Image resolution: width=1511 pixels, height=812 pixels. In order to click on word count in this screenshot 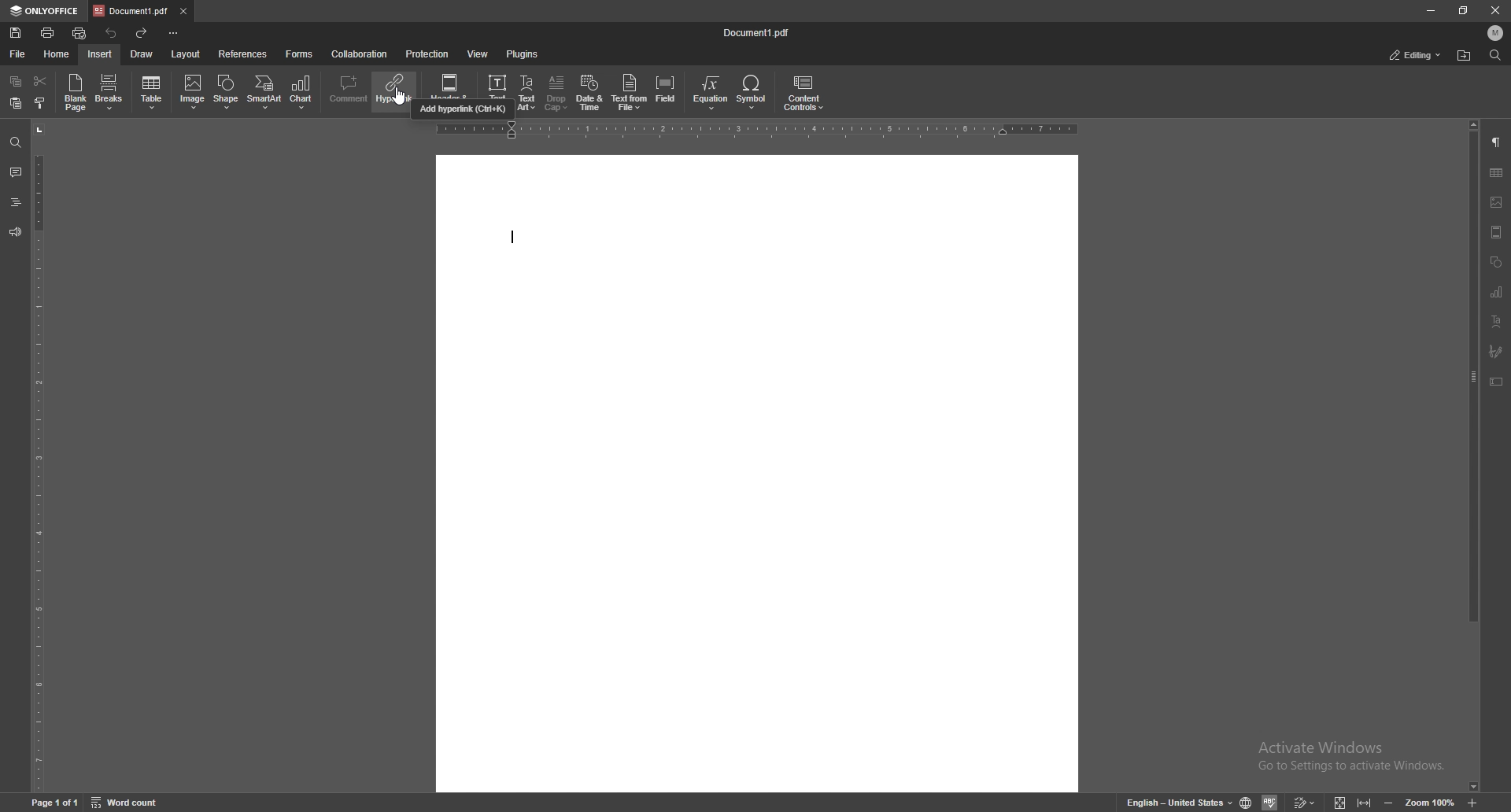, I will do `click(127, 799)`.